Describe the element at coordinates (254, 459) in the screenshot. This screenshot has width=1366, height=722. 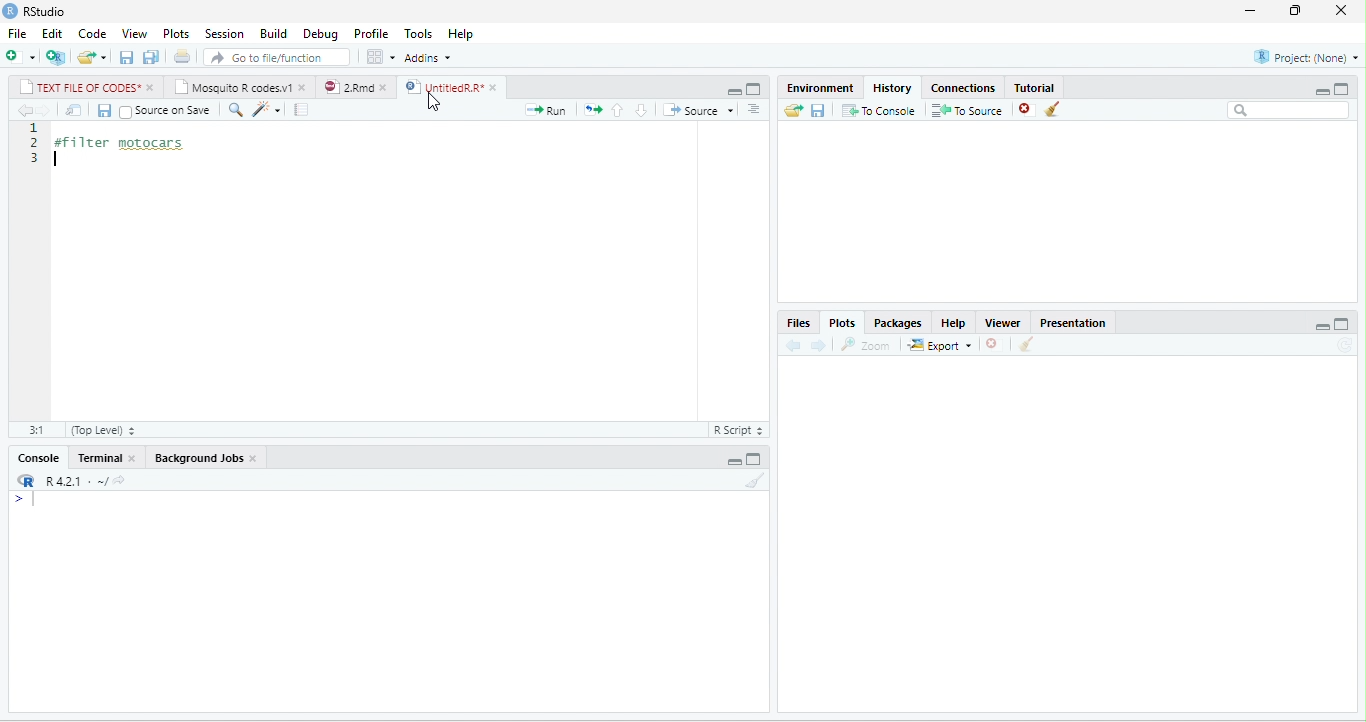
I see `close` at that location.